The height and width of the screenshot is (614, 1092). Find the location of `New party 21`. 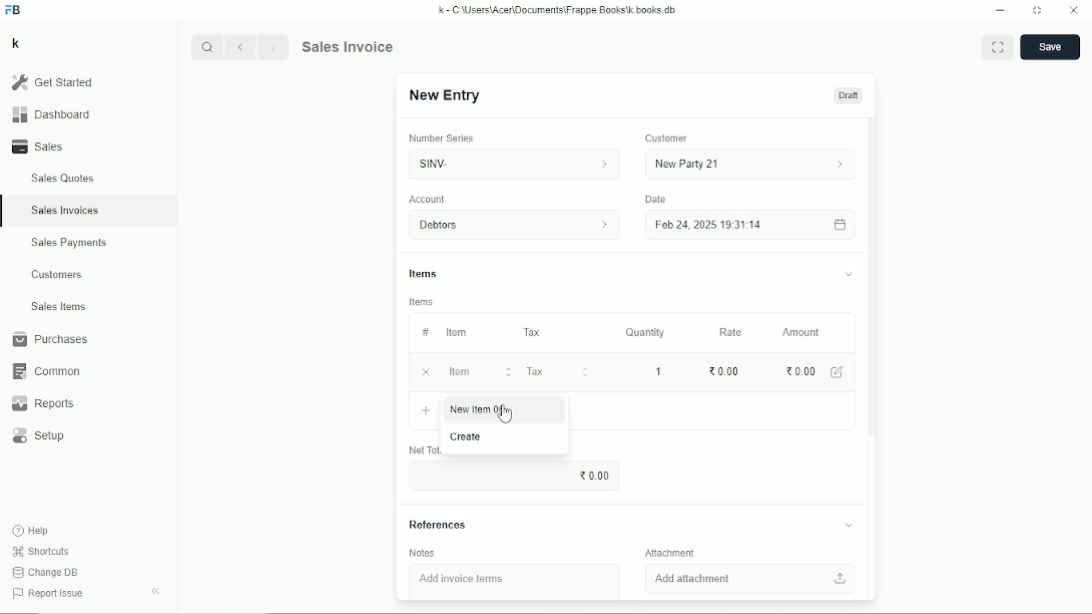

New party 21 is located at coordinates (752, 164).